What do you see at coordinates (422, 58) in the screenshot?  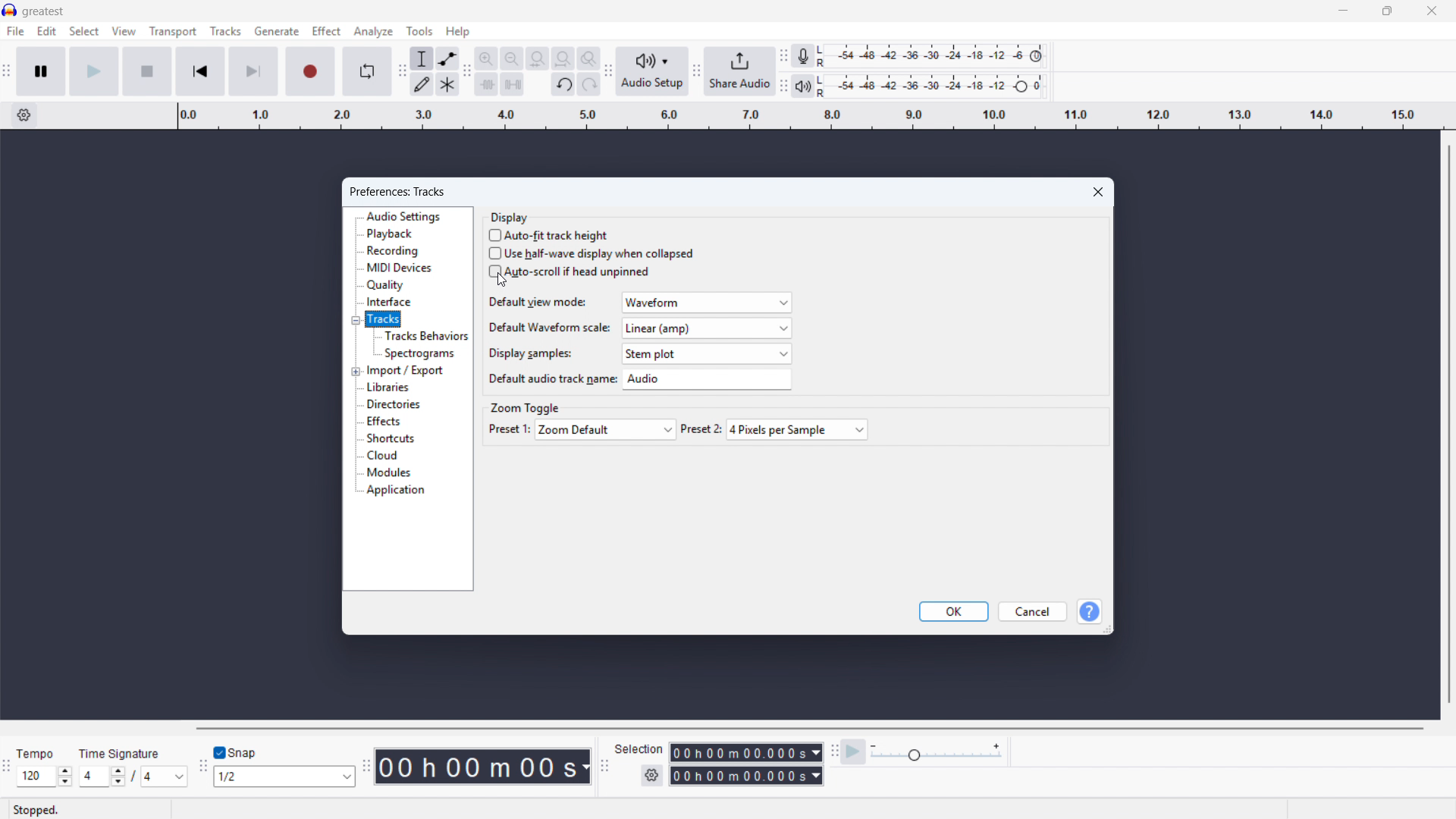 I see `Selection tool ` at bounding box center [422, 58].